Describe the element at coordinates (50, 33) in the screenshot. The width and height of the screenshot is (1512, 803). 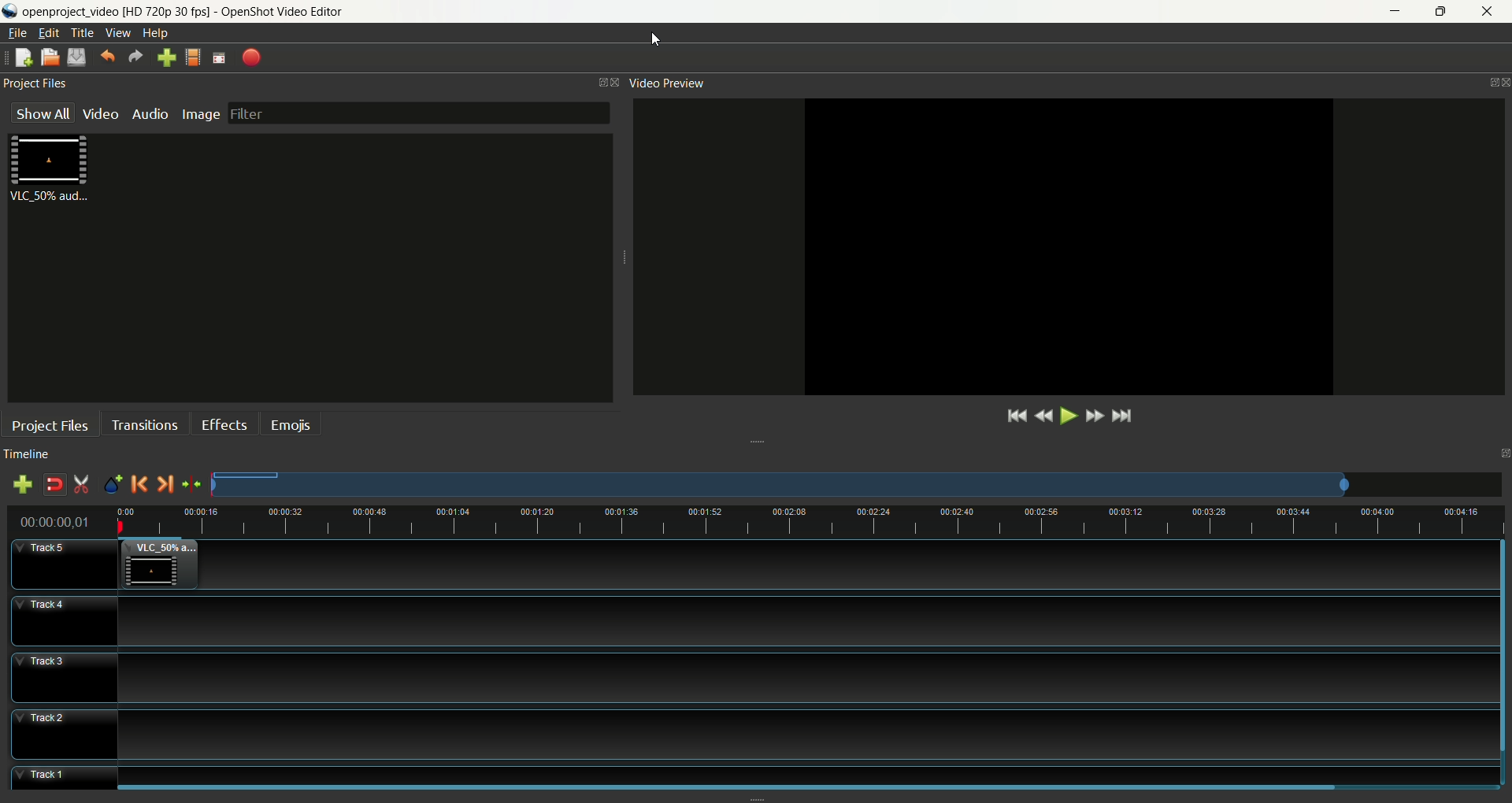
I see `edit` at that location.